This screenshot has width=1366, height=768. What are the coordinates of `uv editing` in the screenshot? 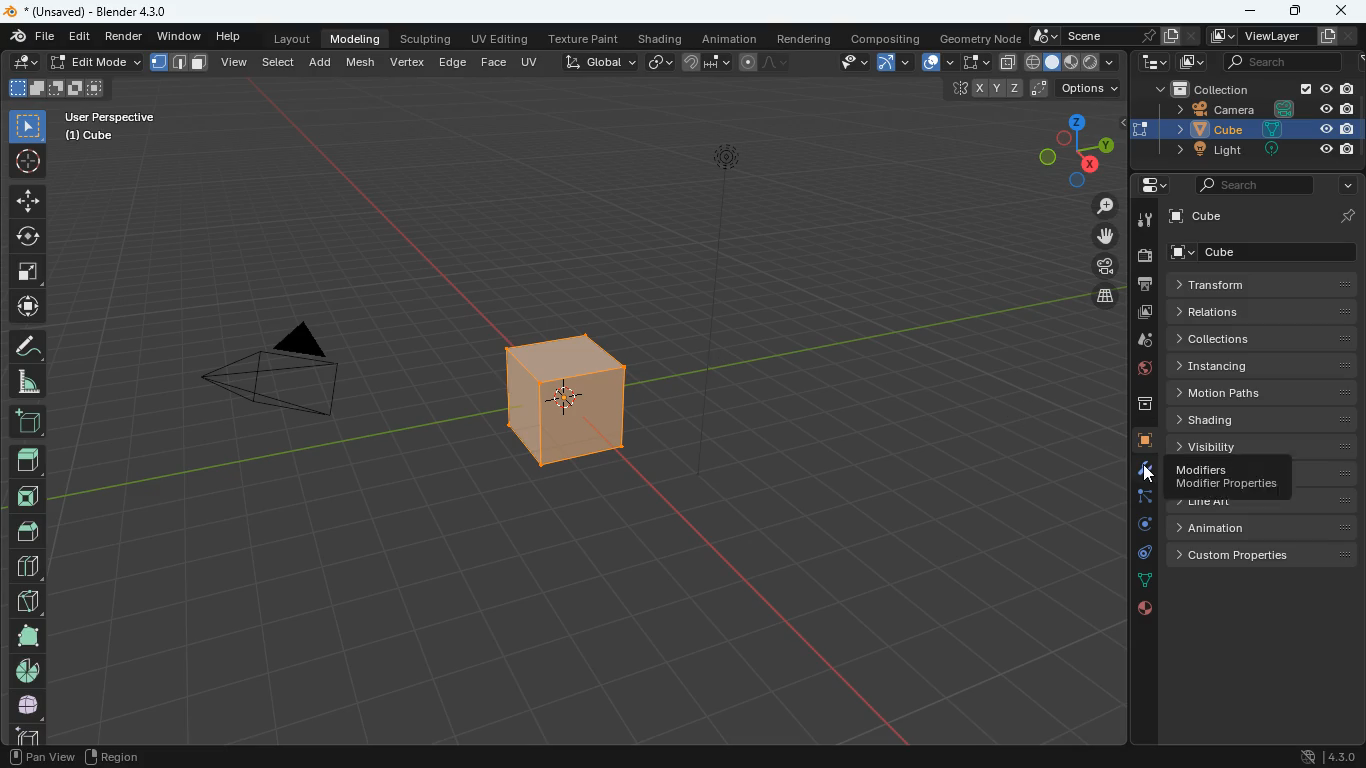 It's located at (500, 38).